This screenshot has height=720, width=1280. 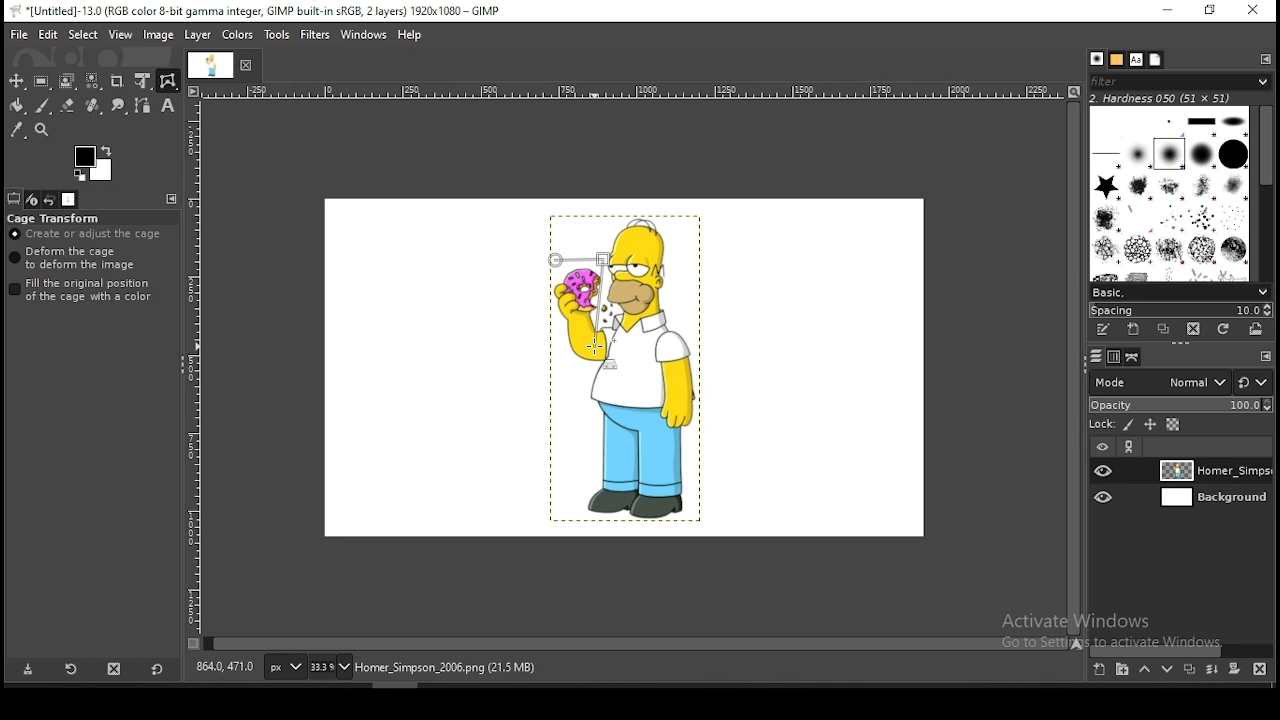 I want to click on close, so click(x=250, y=68).